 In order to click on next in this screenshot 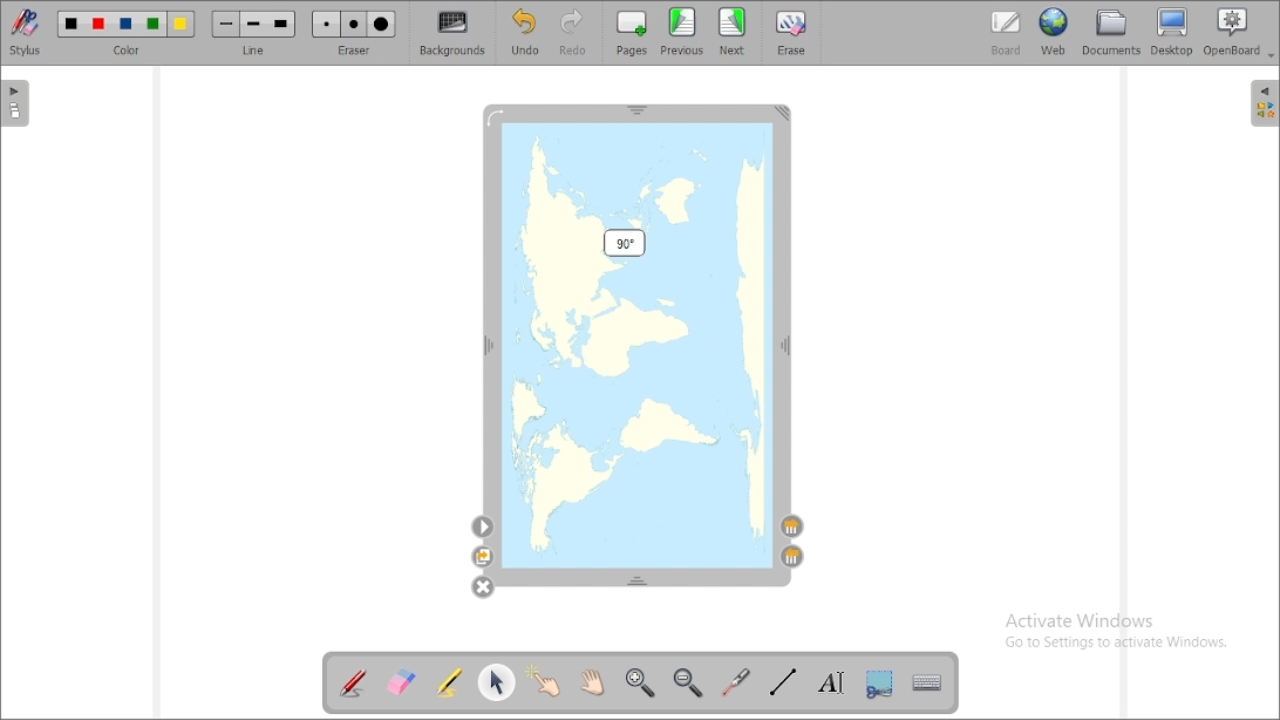, I will do `click(732, 31)`.